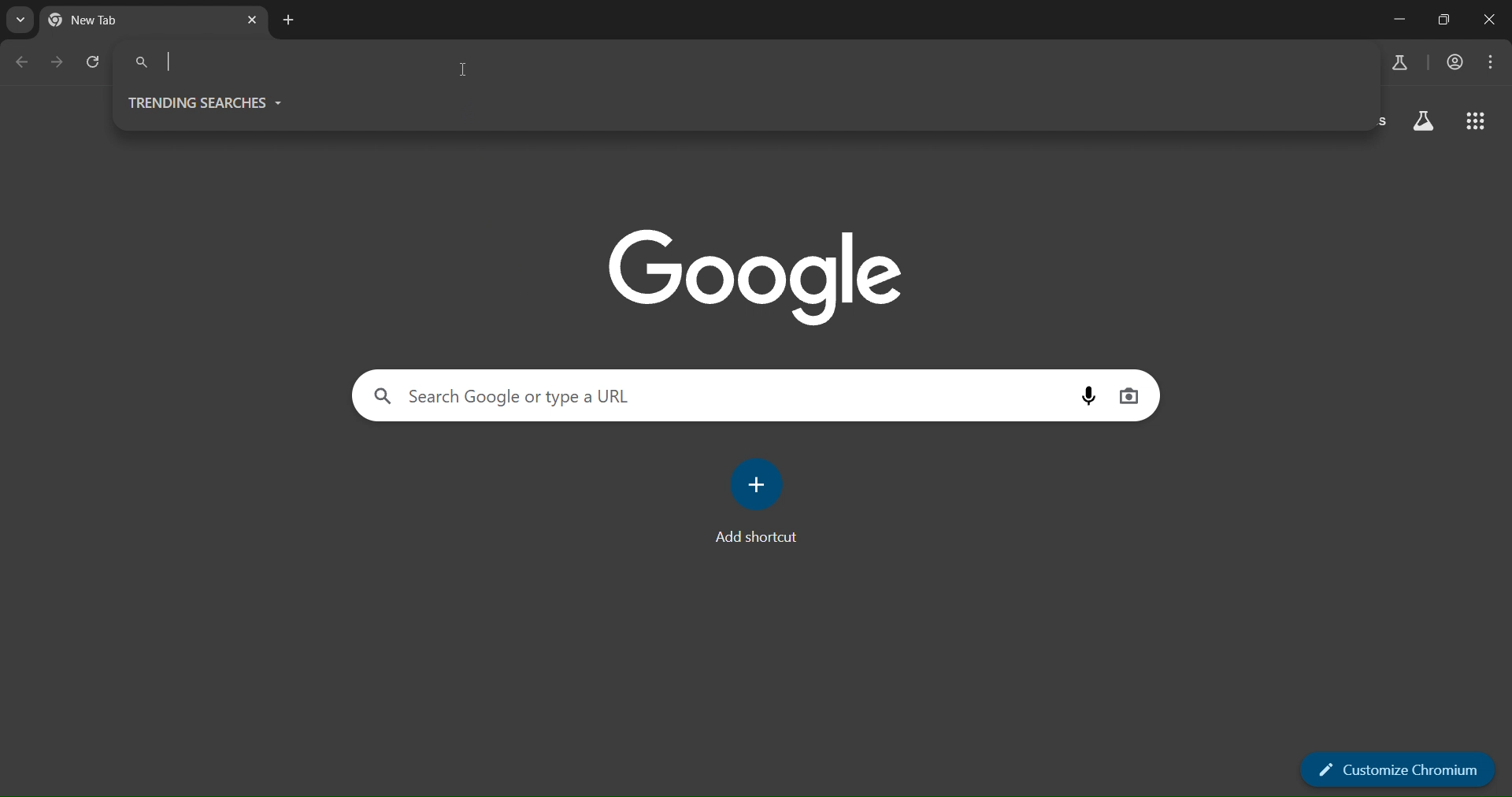 This screenshot has height=797, width=1512. Describe the element at coordinates (1091, 396) in the screenshot. I see `voice search` at that location.